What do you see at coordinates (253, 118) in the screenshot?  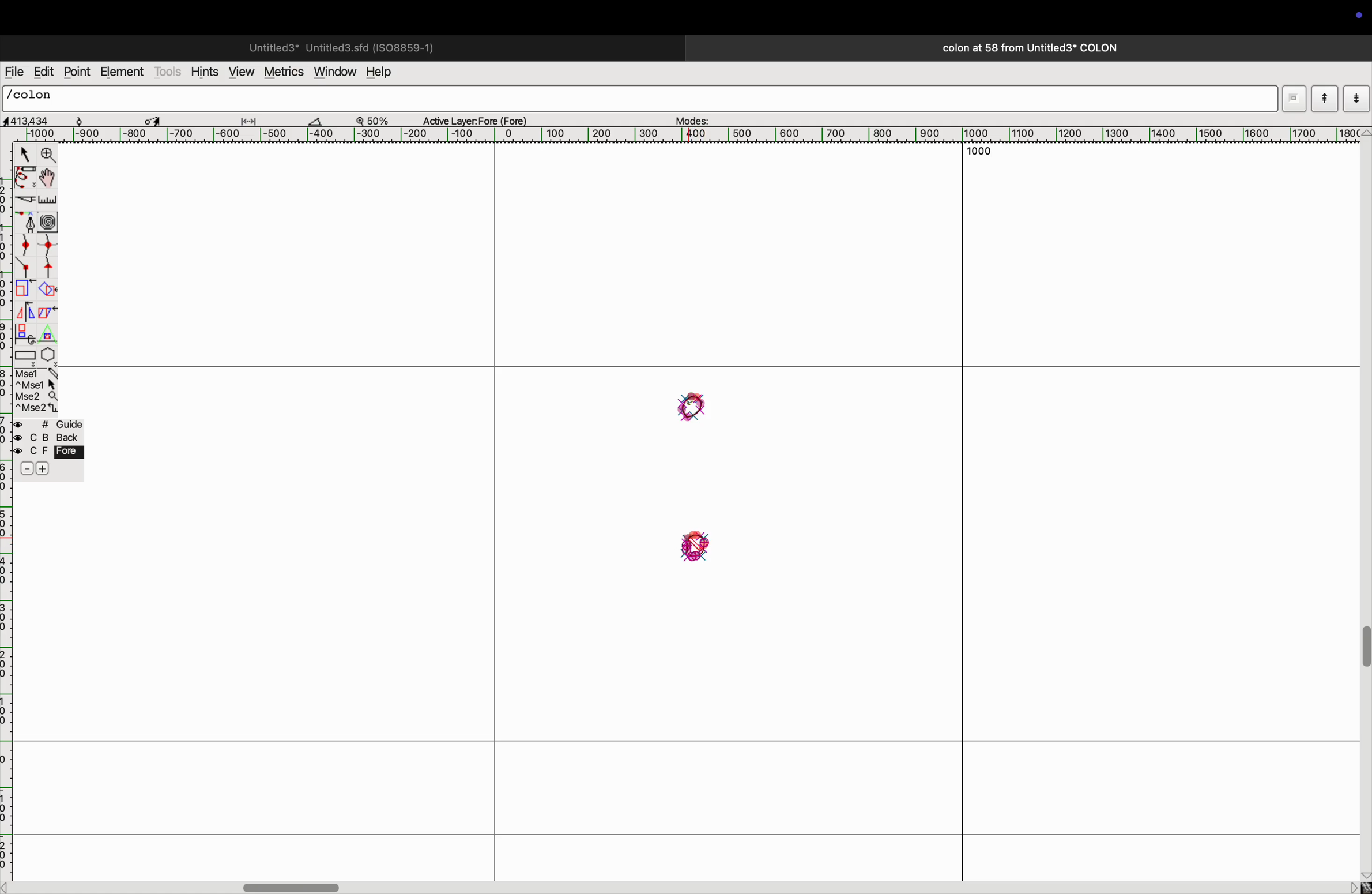 I see `adjust` at bounding box center [253, 118].